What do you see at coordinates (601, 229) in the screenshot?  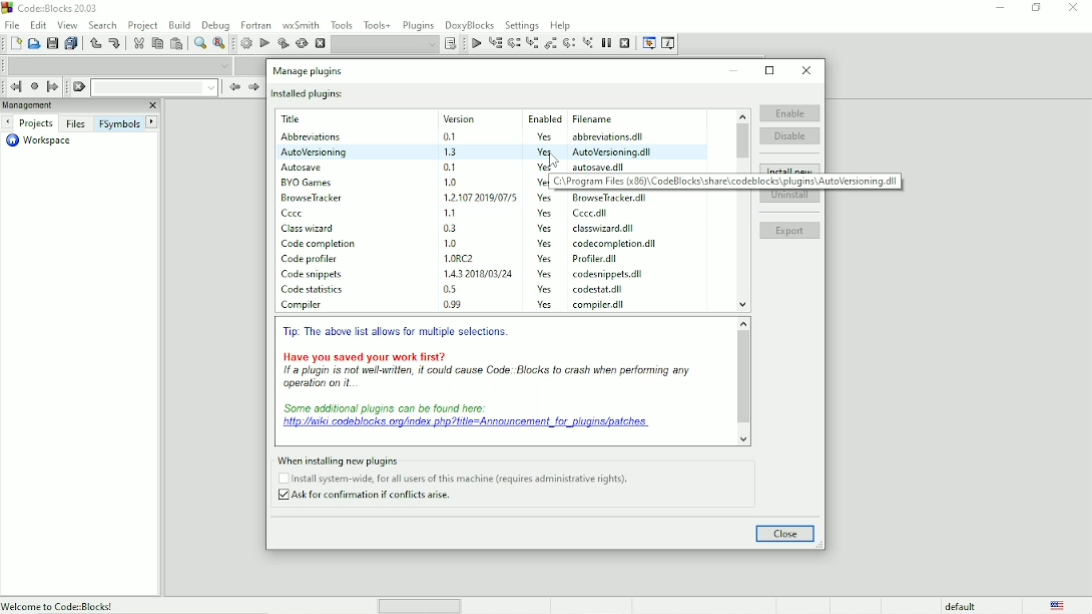 I see `classwizard.dll` at bounding box center [601, 229].